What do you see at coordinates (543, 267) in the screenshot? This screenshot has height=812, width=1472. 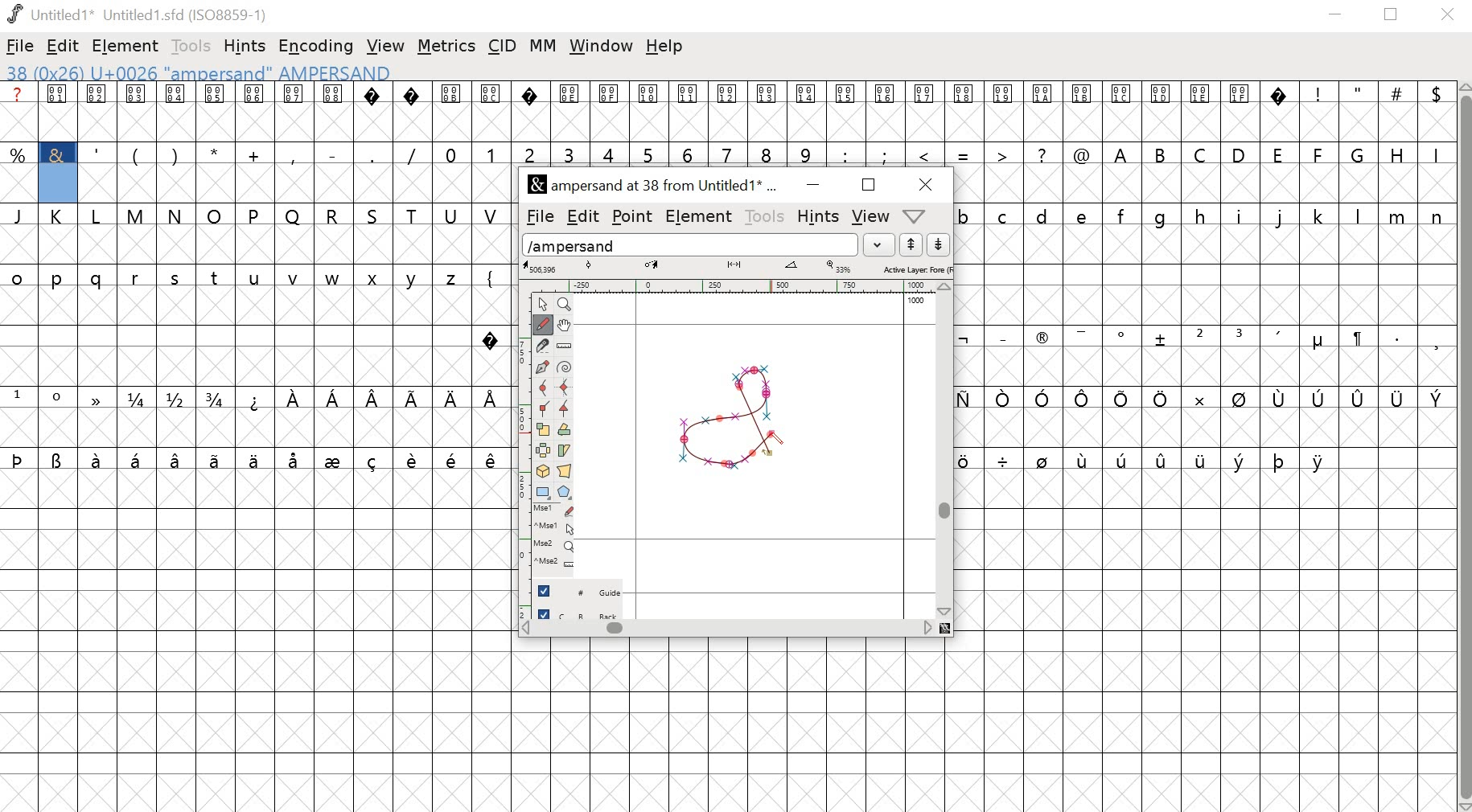 I see `cursor coordinate` at bounding box center [543, 267].